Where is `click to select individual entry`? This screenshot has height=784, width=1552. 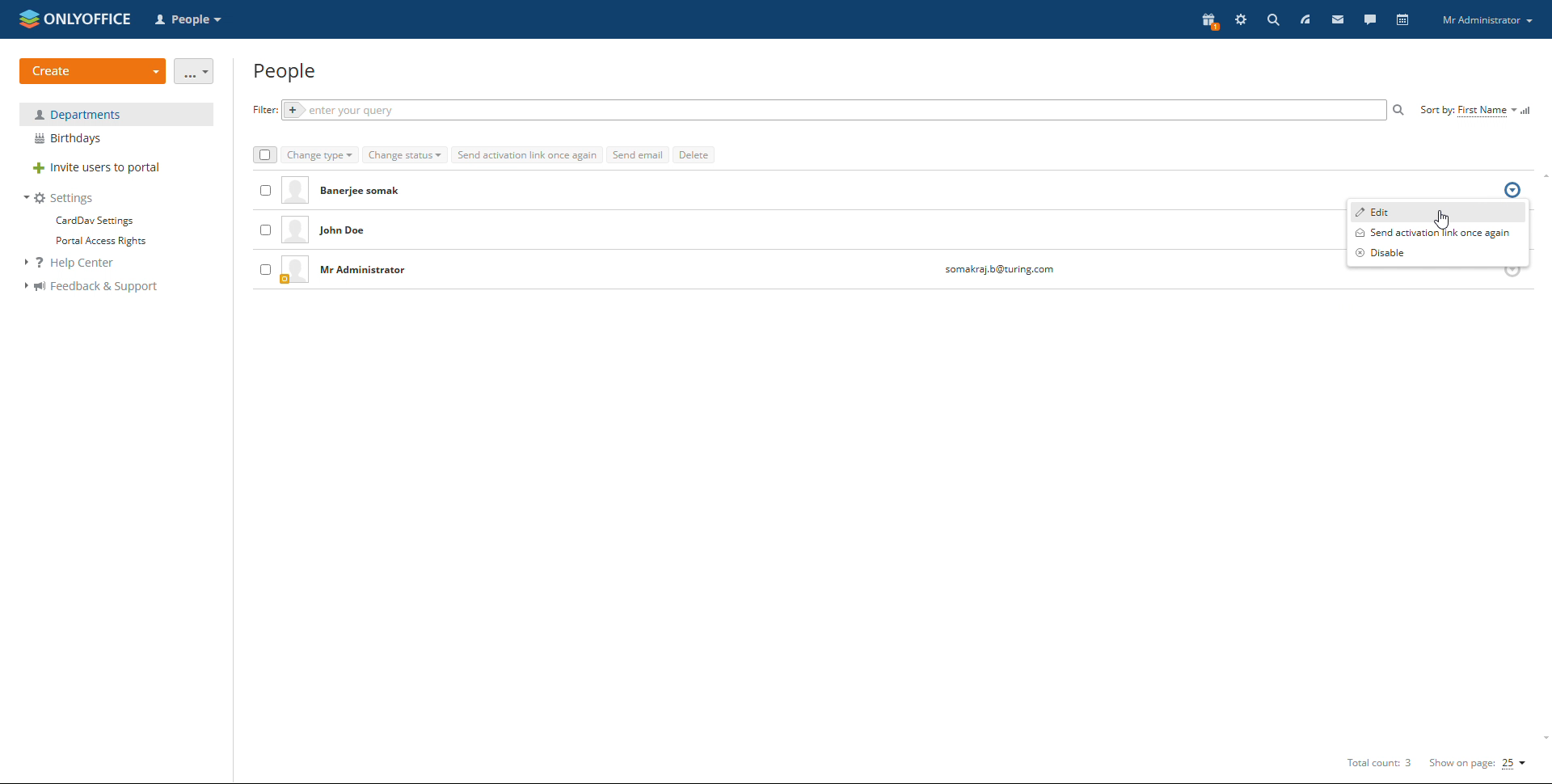
click to select individual entry is located at coordinates (265, 269).